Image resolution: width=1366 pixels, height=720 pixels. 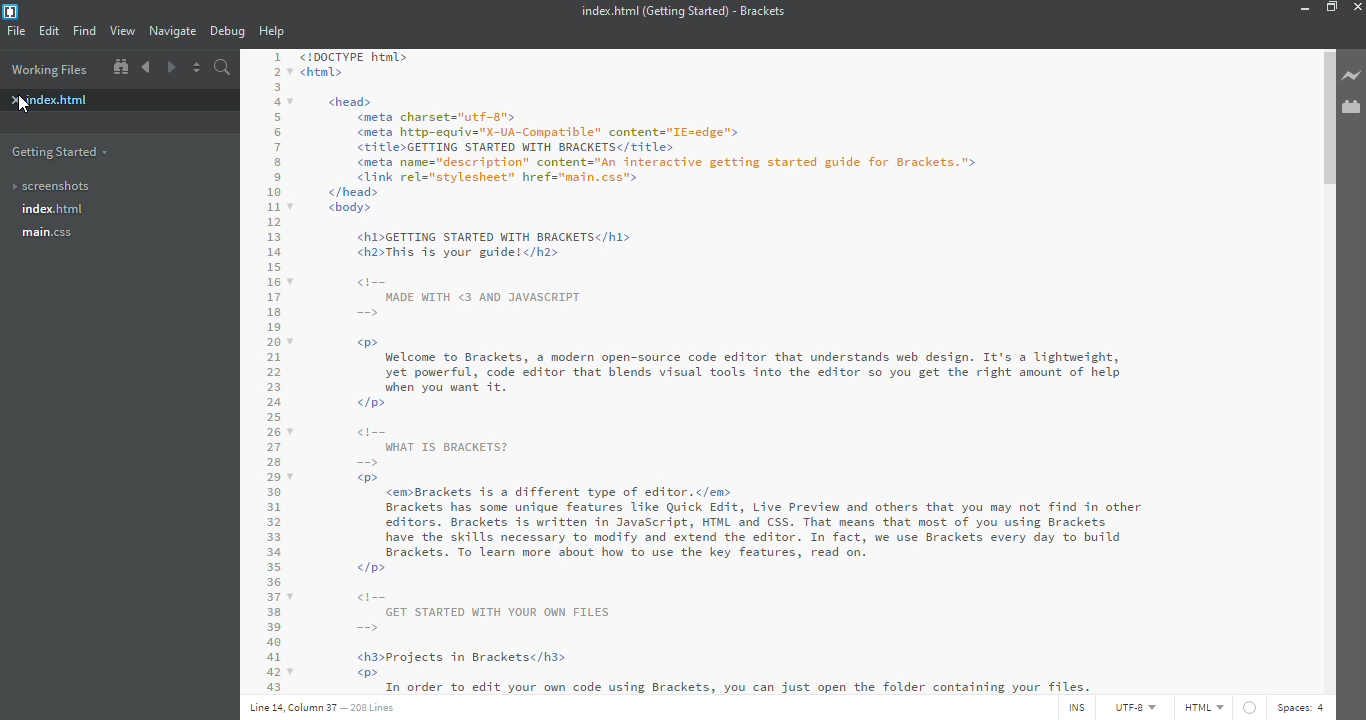 What do you see at coordinates (26, 105) in the screenshot?
I see `cursor` at bounding box center [26, 105].